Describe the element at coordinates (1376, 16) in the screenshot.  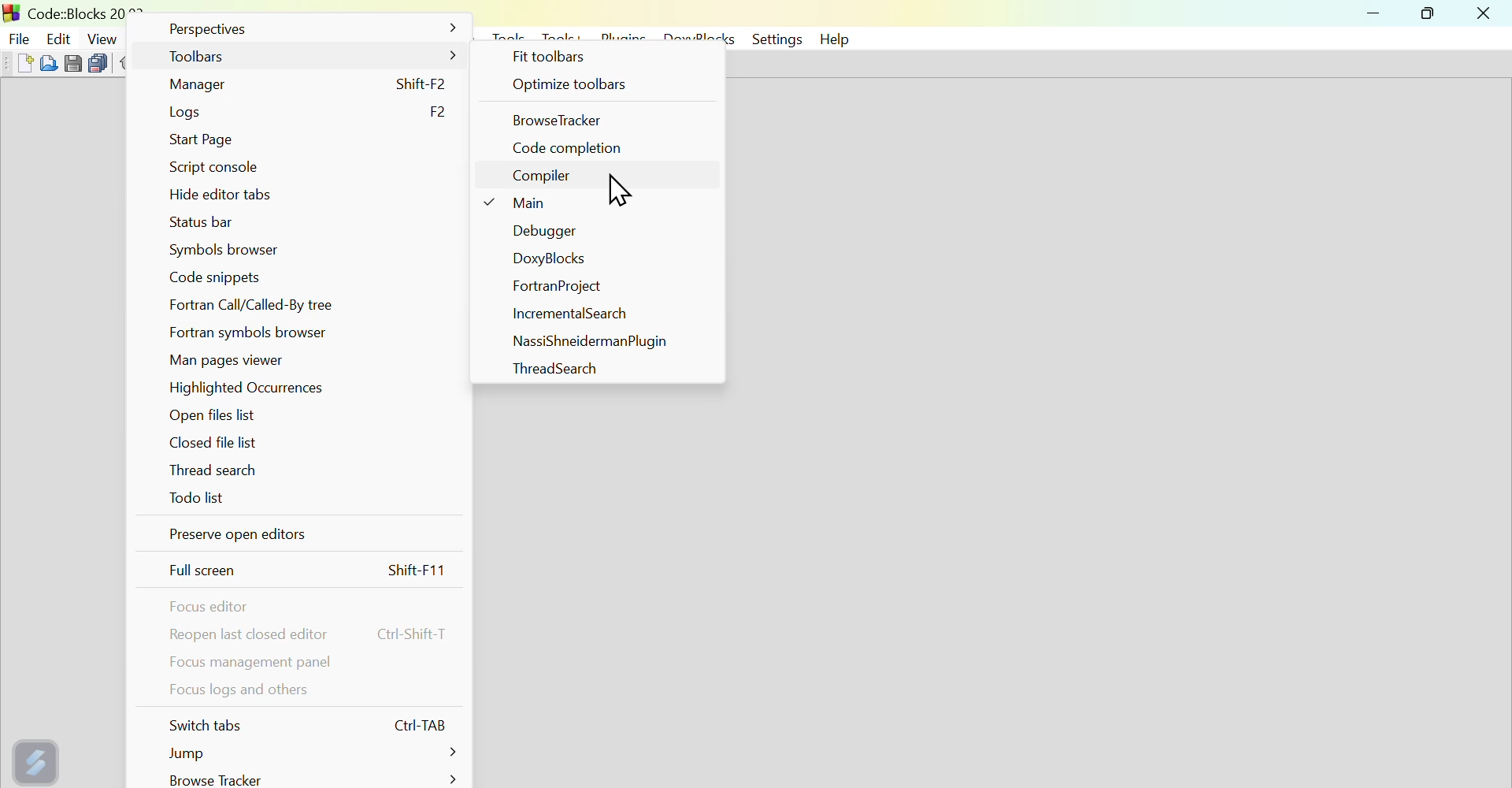
I see `minimise` at that location.